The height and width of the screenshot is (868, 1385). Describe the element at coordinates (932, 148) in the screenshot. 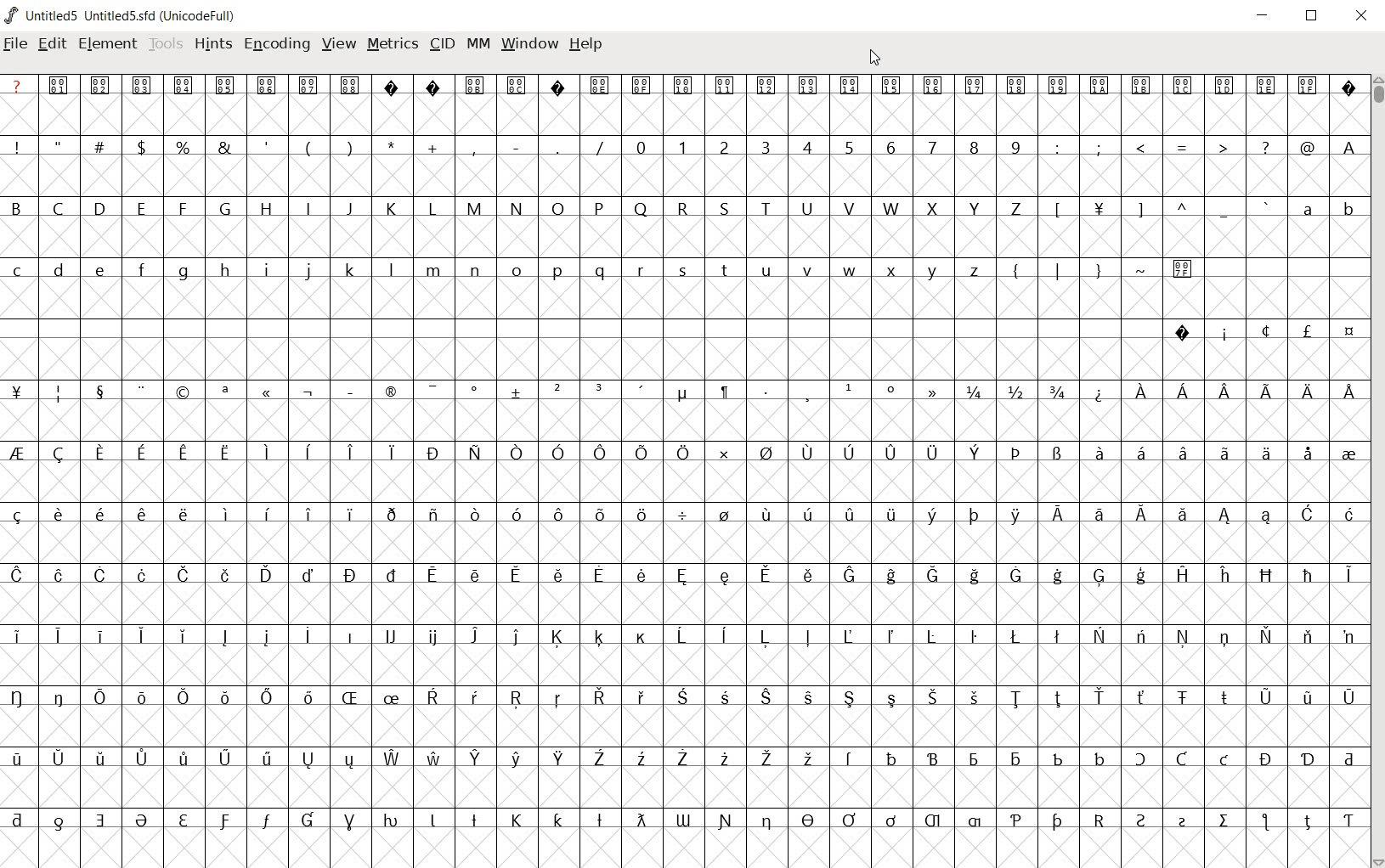

I see `7` at that location.